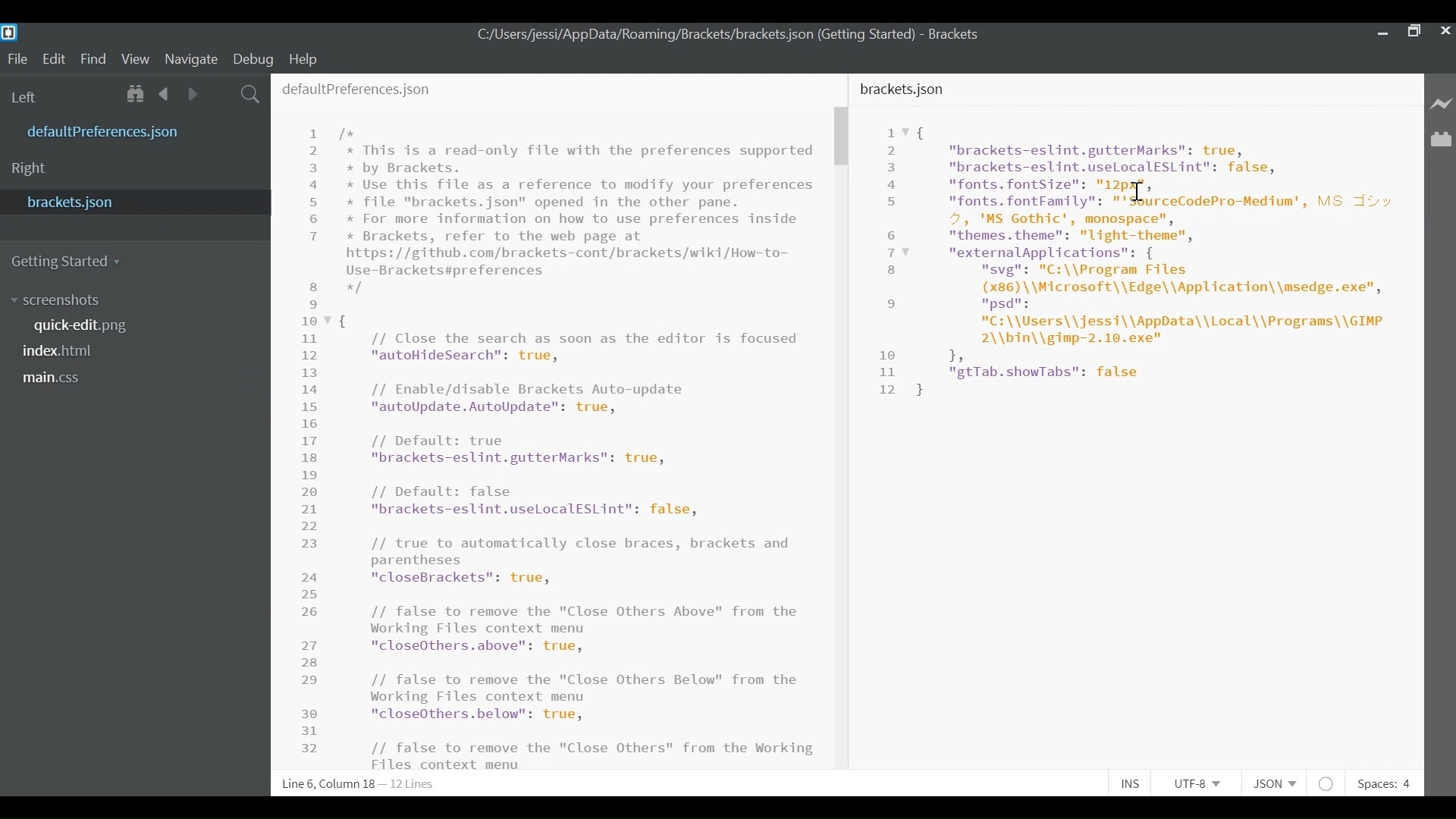  What do you see at coordinates (83, 326) in the screenshot?
I see `quick-edit.png File` at bounding box center [83, 326].